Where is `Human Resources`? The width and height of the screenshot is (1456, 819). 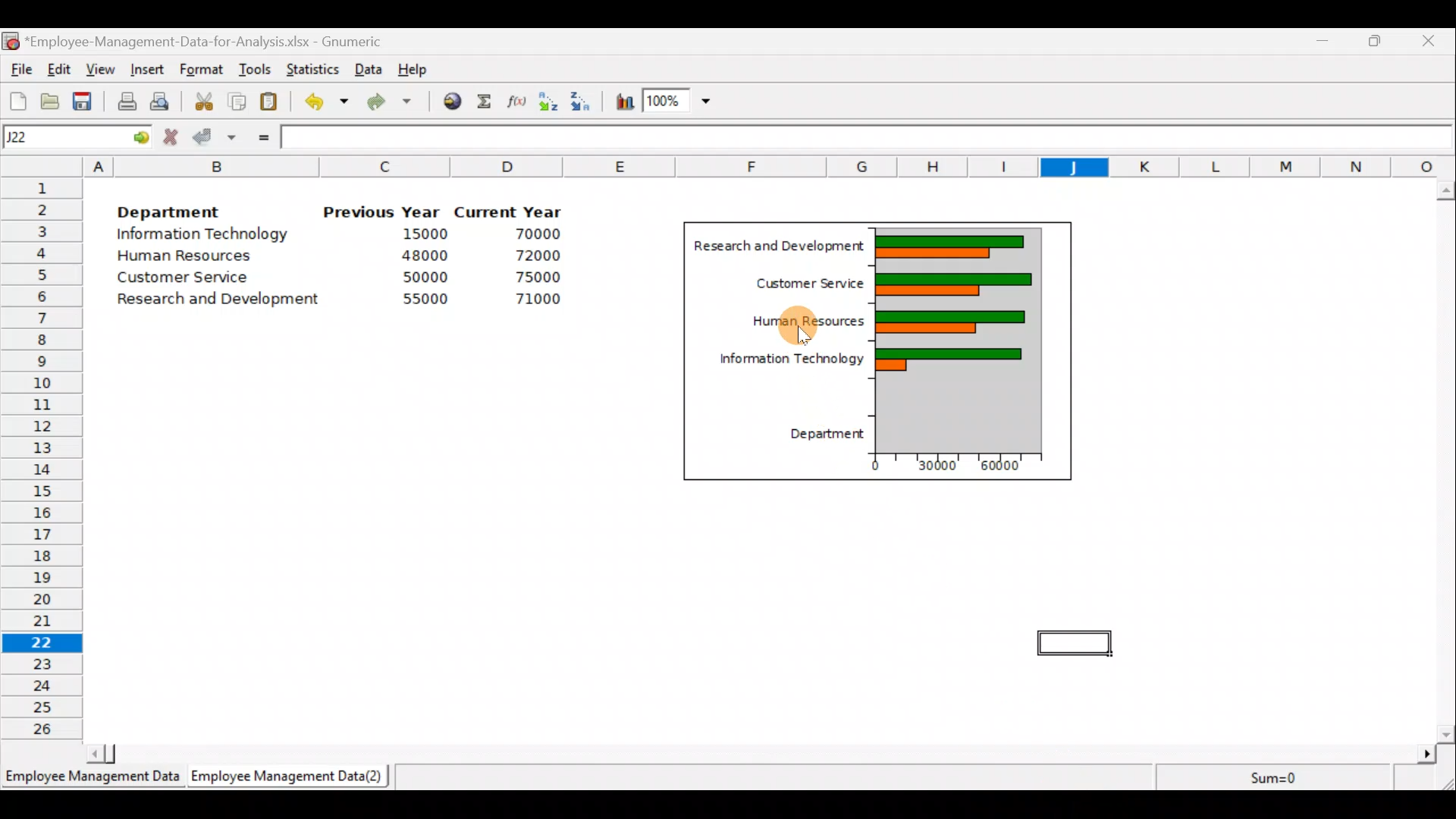
Human Resources is located at coordinates (797, 318).